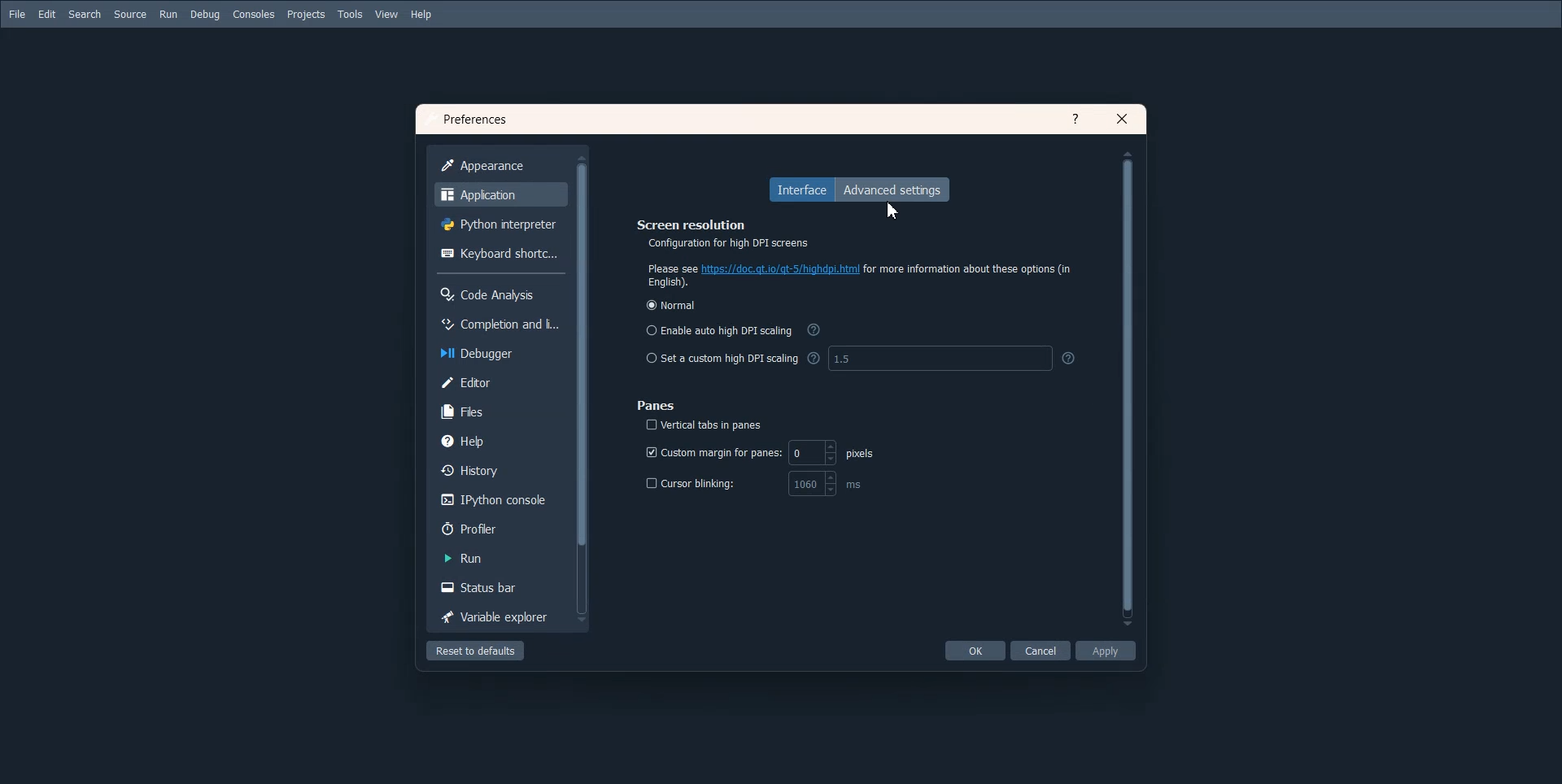 The image size is (1562, 784). What do you see at coordinates (306, 14) in the screenshot?
I see `Projects` at bounding box center [306, 14].